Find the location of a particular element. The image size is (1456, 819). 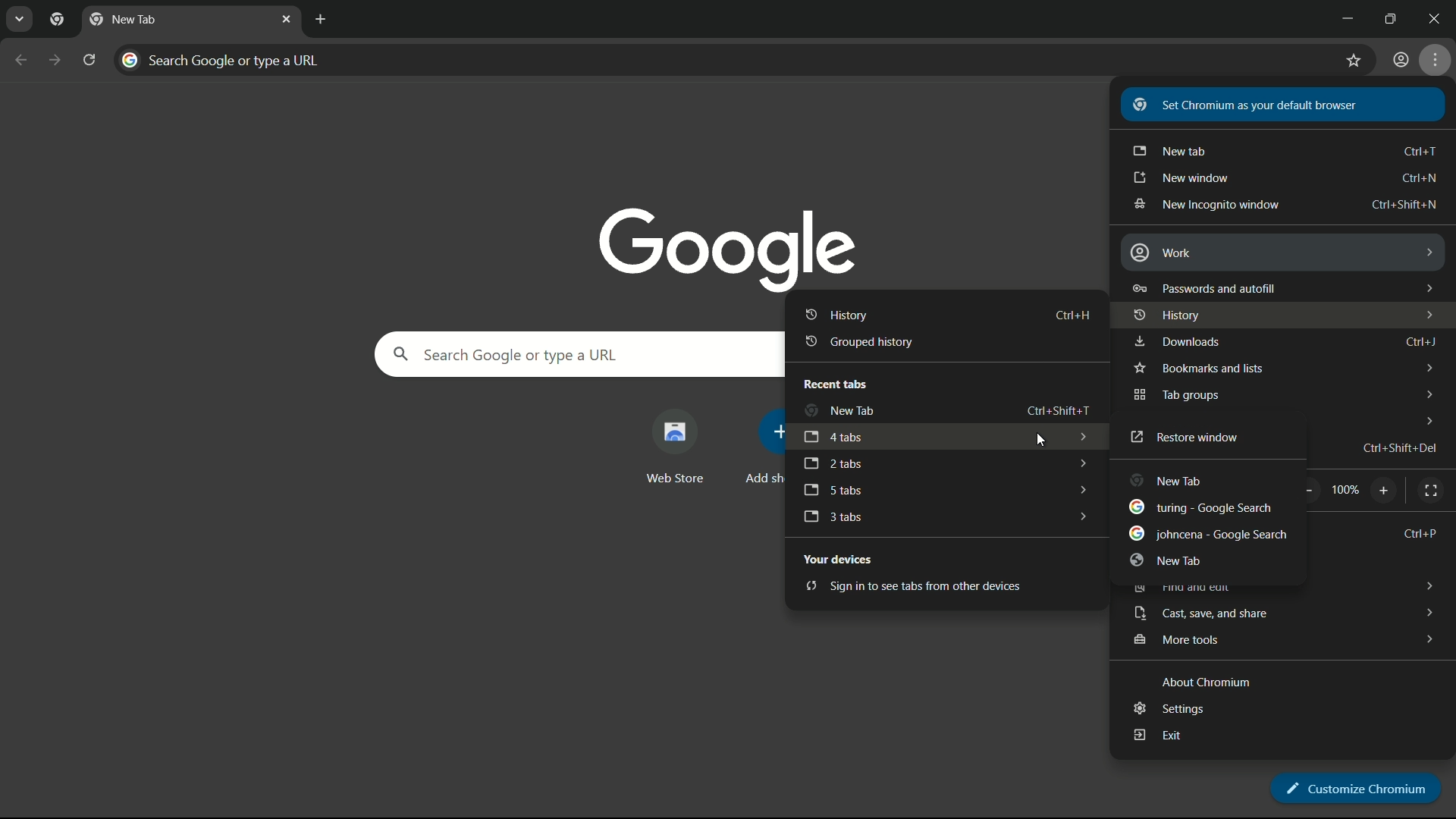

johncena - google search is located at coordinates (1209, 535).